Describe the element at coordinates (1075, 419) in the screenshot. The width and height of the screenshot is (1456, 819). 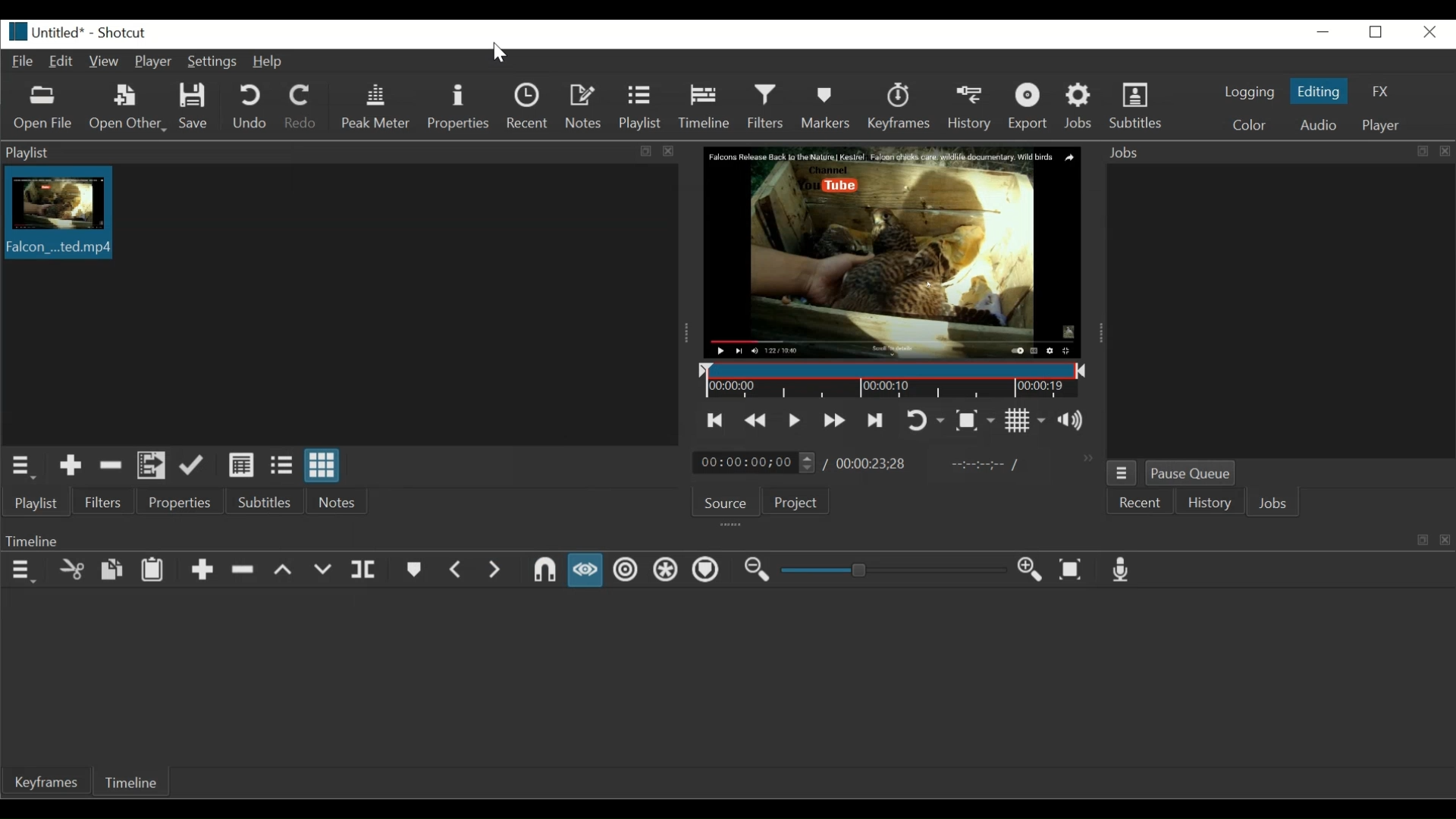
I see `Show the volume control` at that location.